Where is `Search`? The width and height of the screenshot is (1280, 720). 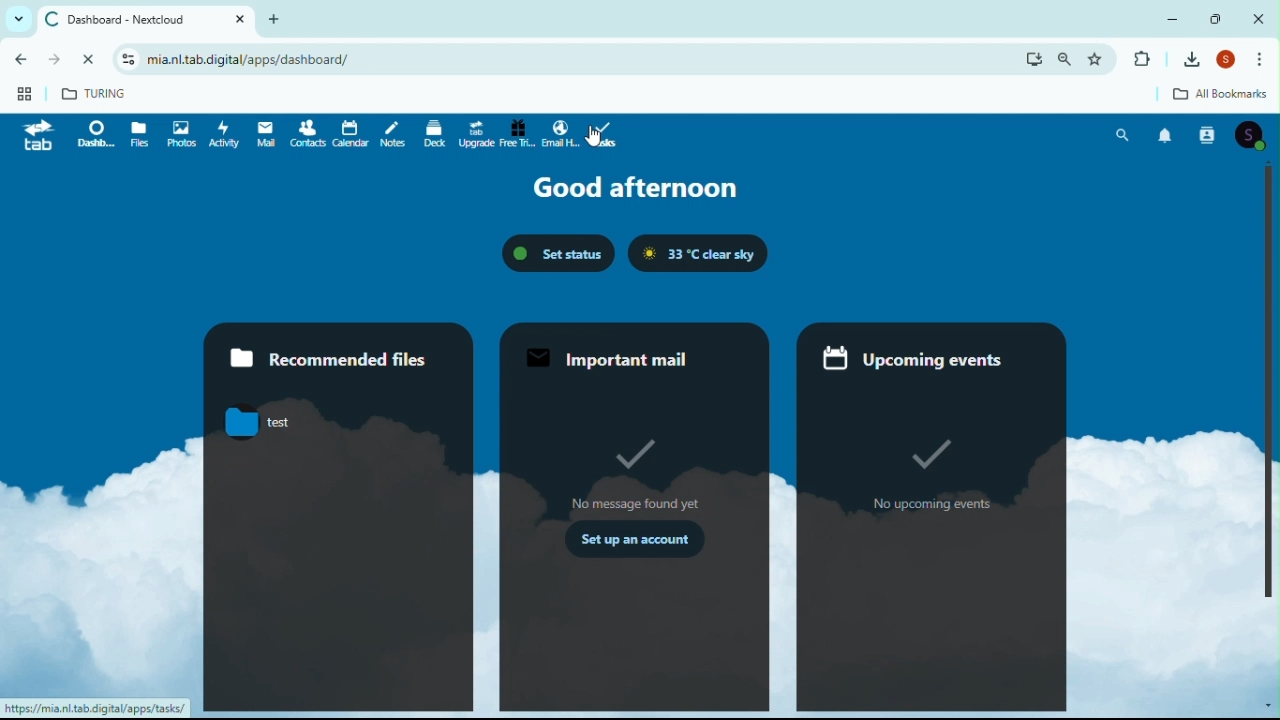
Search is located at coordinates (1119, 133).